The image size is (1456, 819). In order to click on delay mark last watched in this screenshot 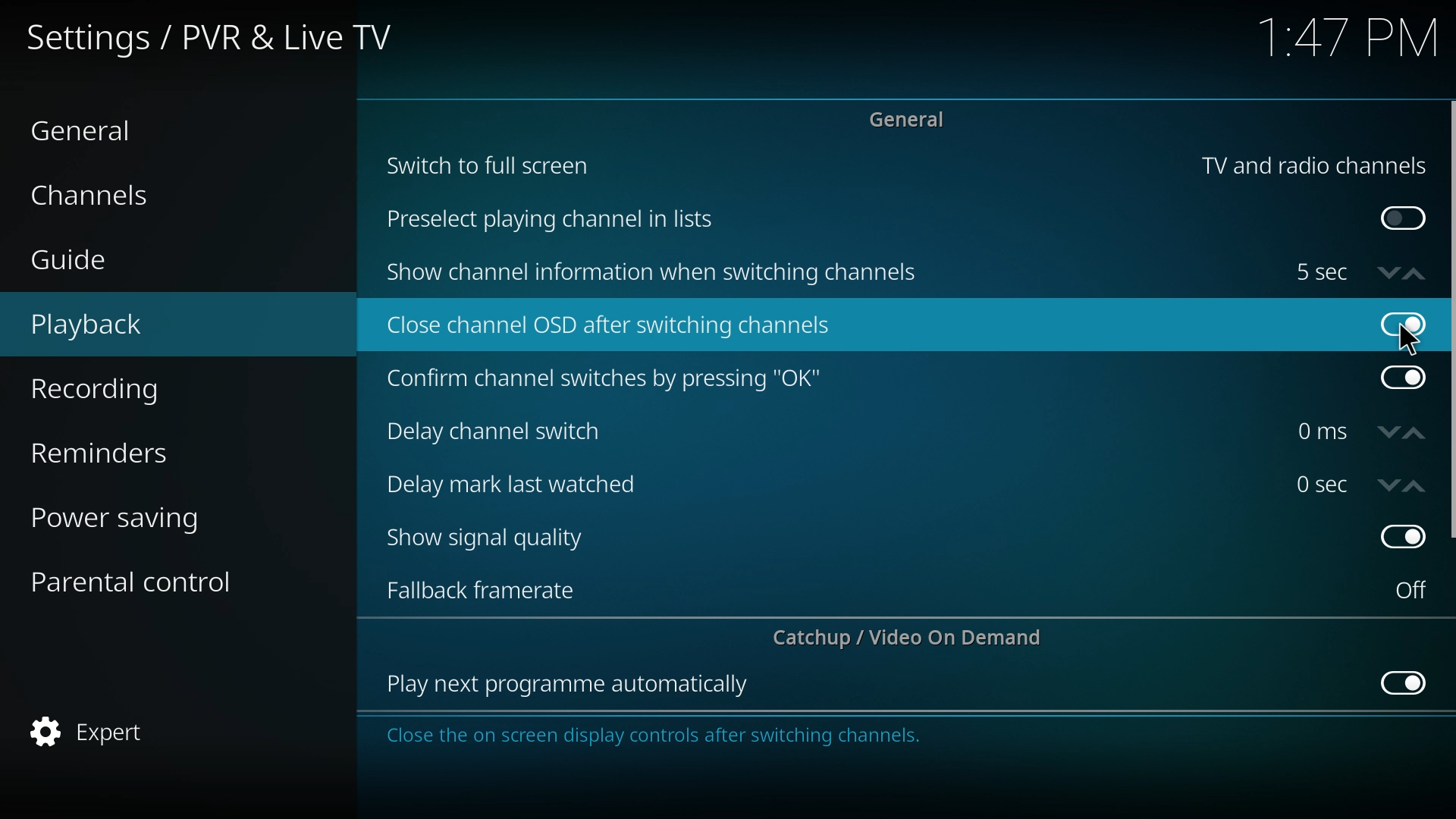, I will do `click(519, 482)`.